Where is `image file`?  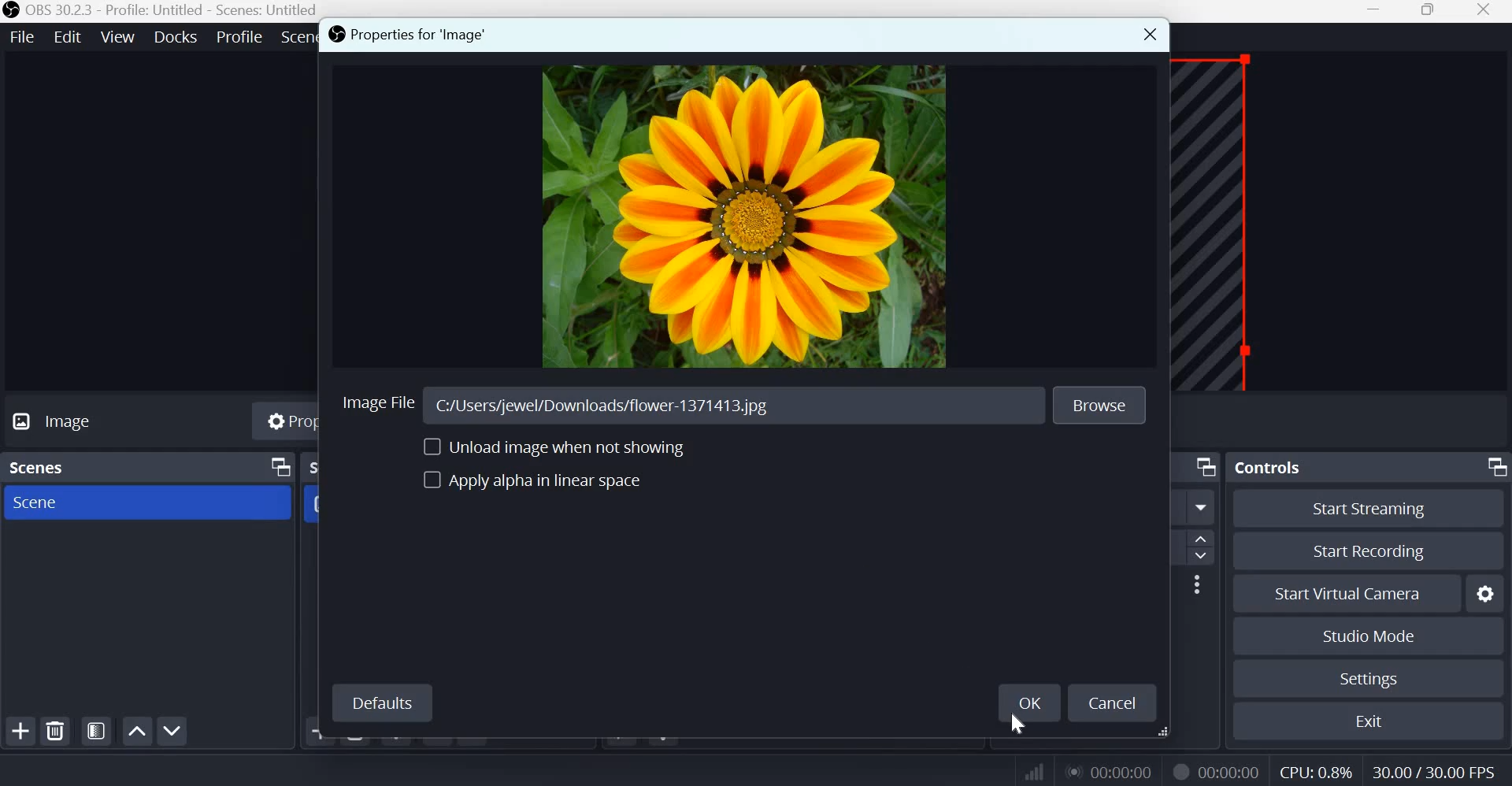 image file is located at coordinates (380, 403).